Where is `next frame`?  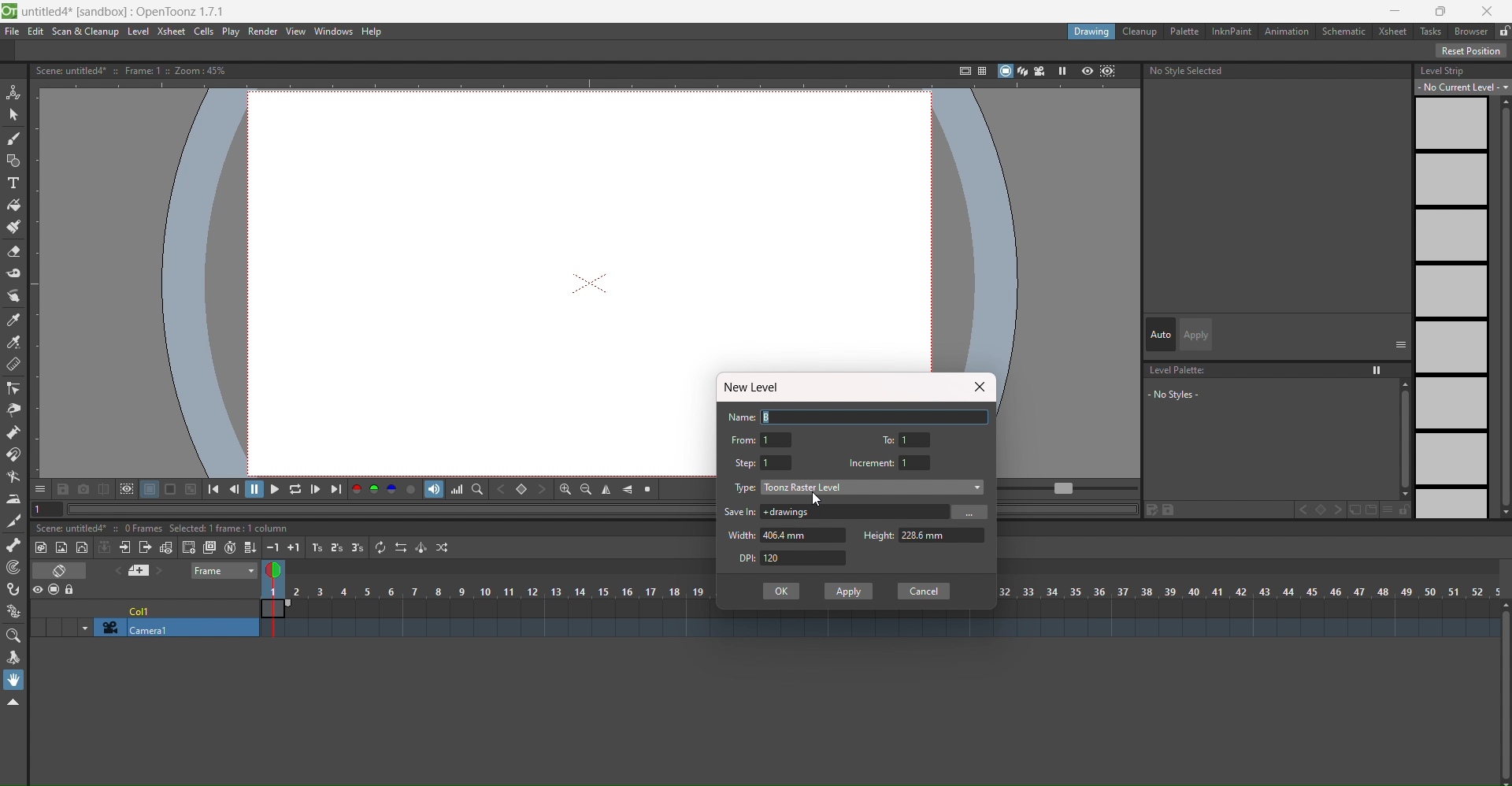 next frame is located at coordinates (316, 489).